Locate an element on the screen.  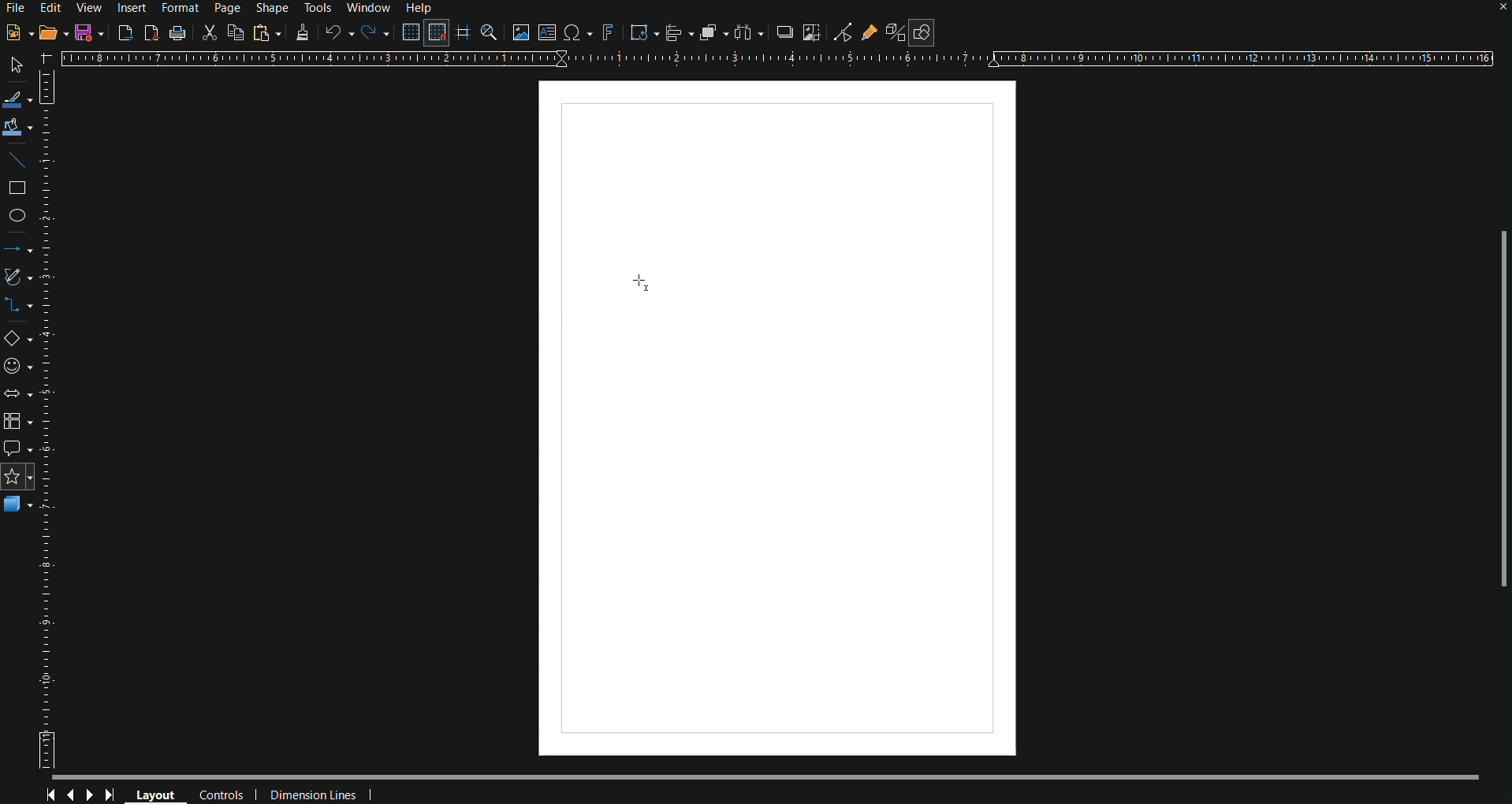
 is located at coordinates (17, 66).